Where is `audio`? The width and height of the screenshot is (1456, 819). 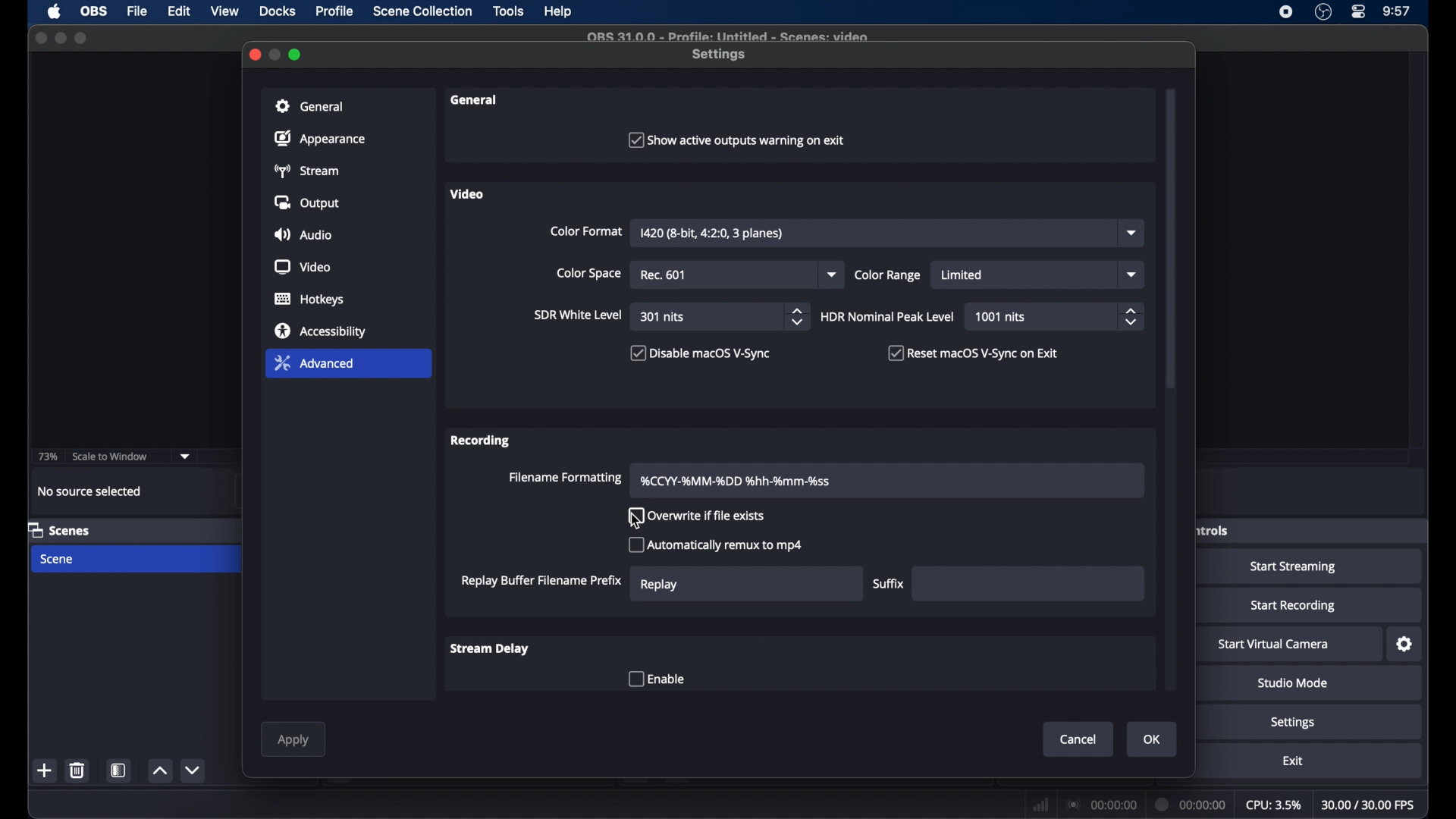 audio is located at coordinates (303, 234).